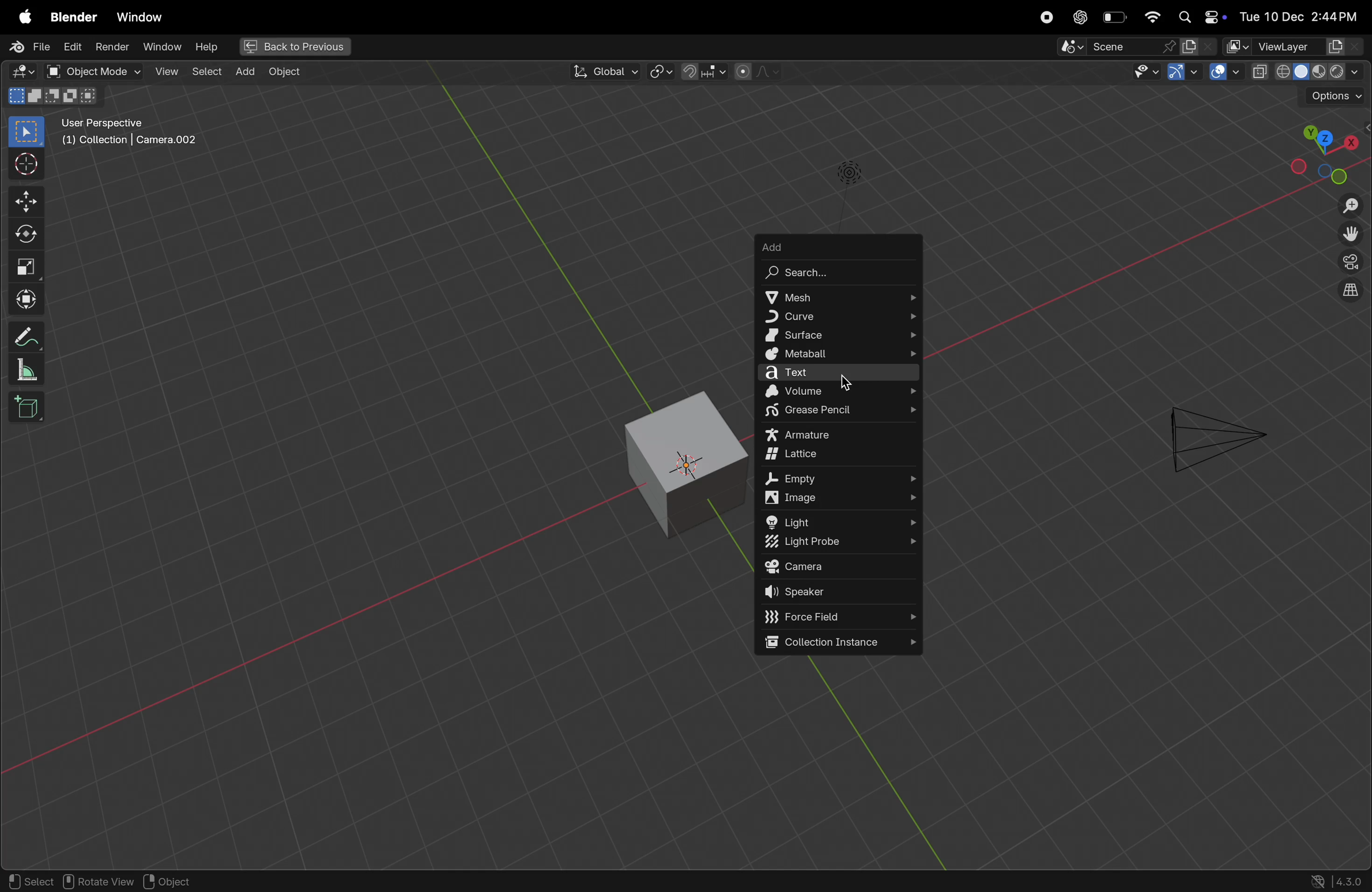  I want to click on version, so click(1337, 880).